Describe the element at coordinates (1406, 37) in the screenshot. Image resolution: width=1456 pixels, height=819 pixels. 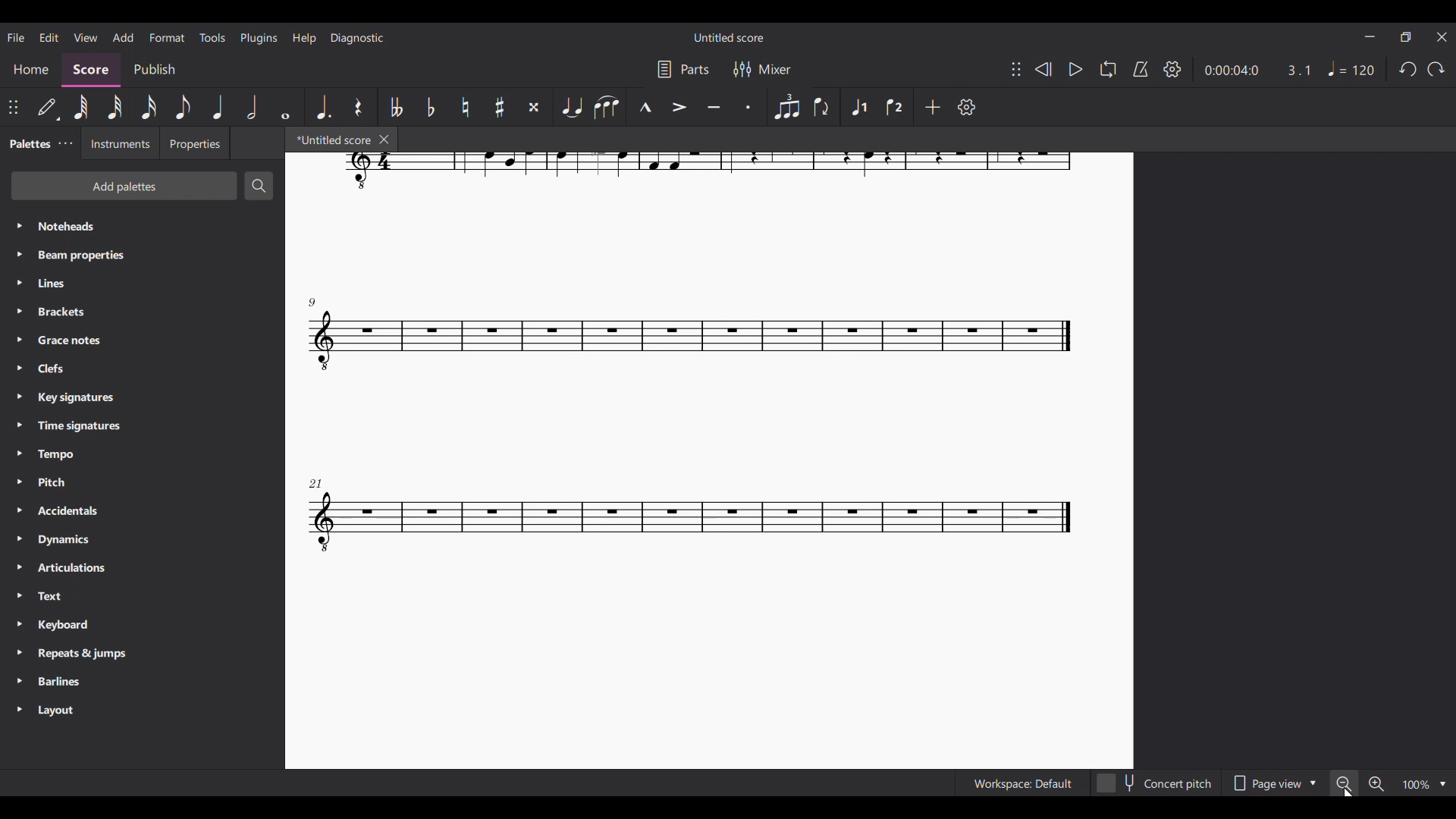
I see `Show in smaller tab` at that location.